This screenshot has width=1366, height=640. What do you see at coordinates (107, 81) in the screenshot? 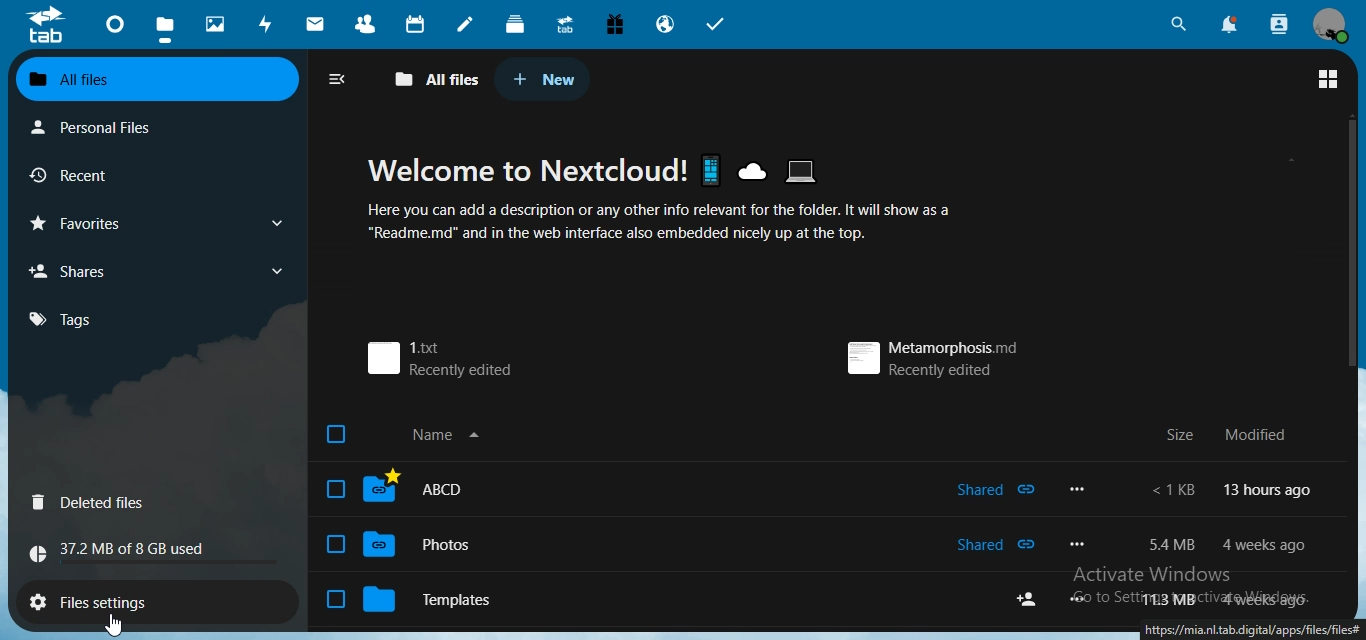
I see `all files` at bounding box center [107, 81].